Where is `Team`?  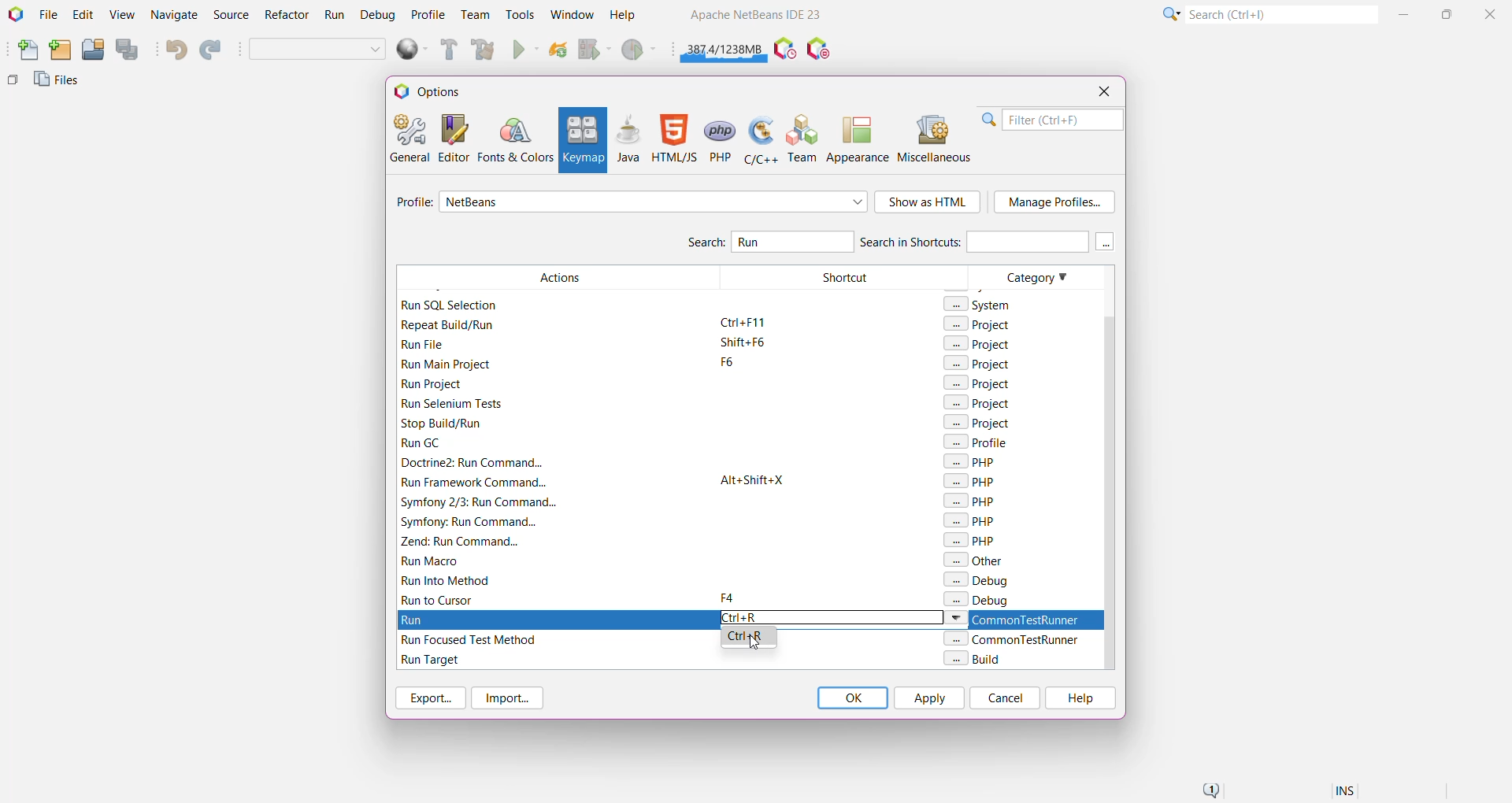
Team is located at coordinates (474, 15).